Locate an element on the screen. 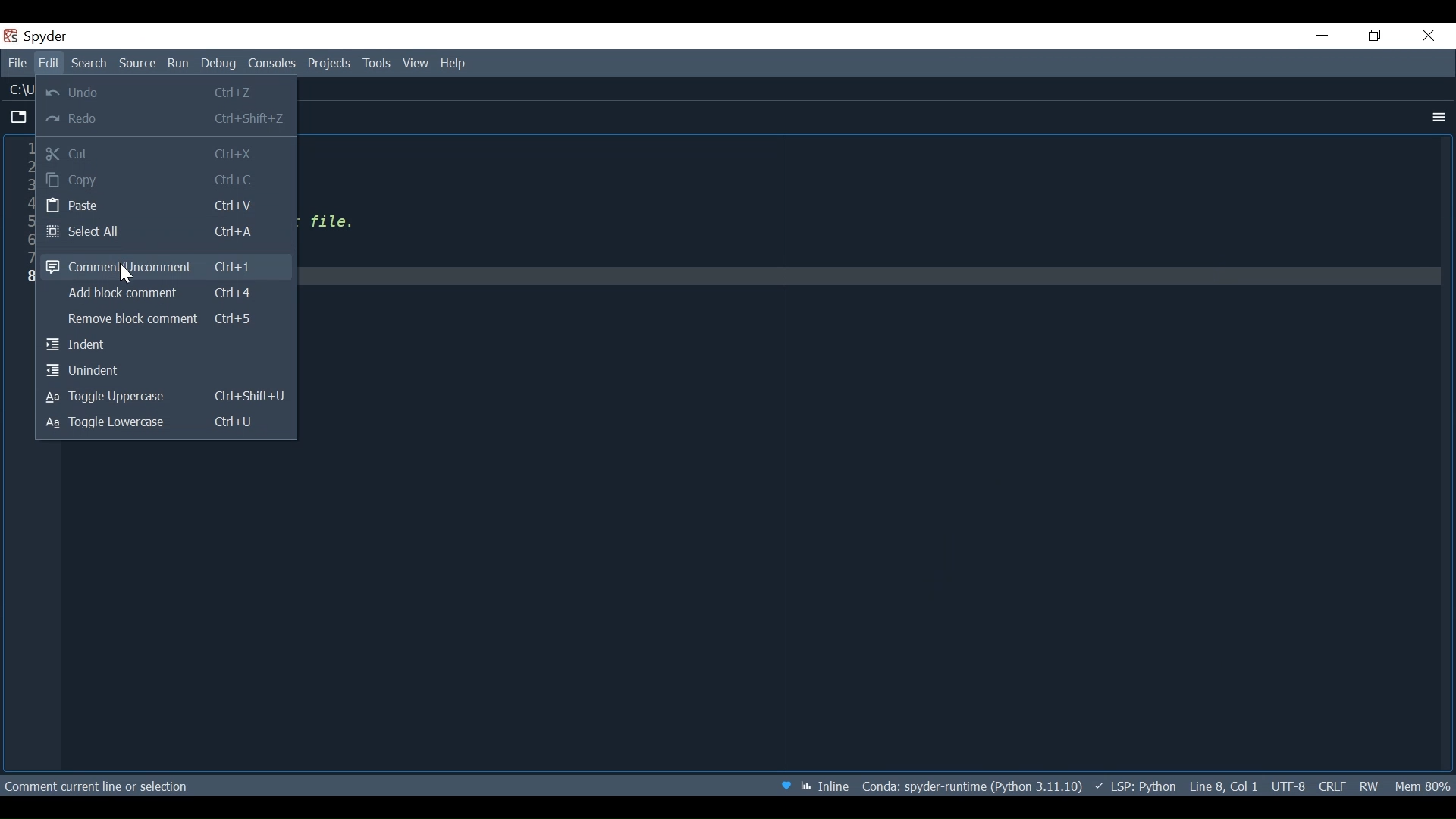 The height and width of the screenshot is (819, 1456). Help is located at coordinates (458, 64).